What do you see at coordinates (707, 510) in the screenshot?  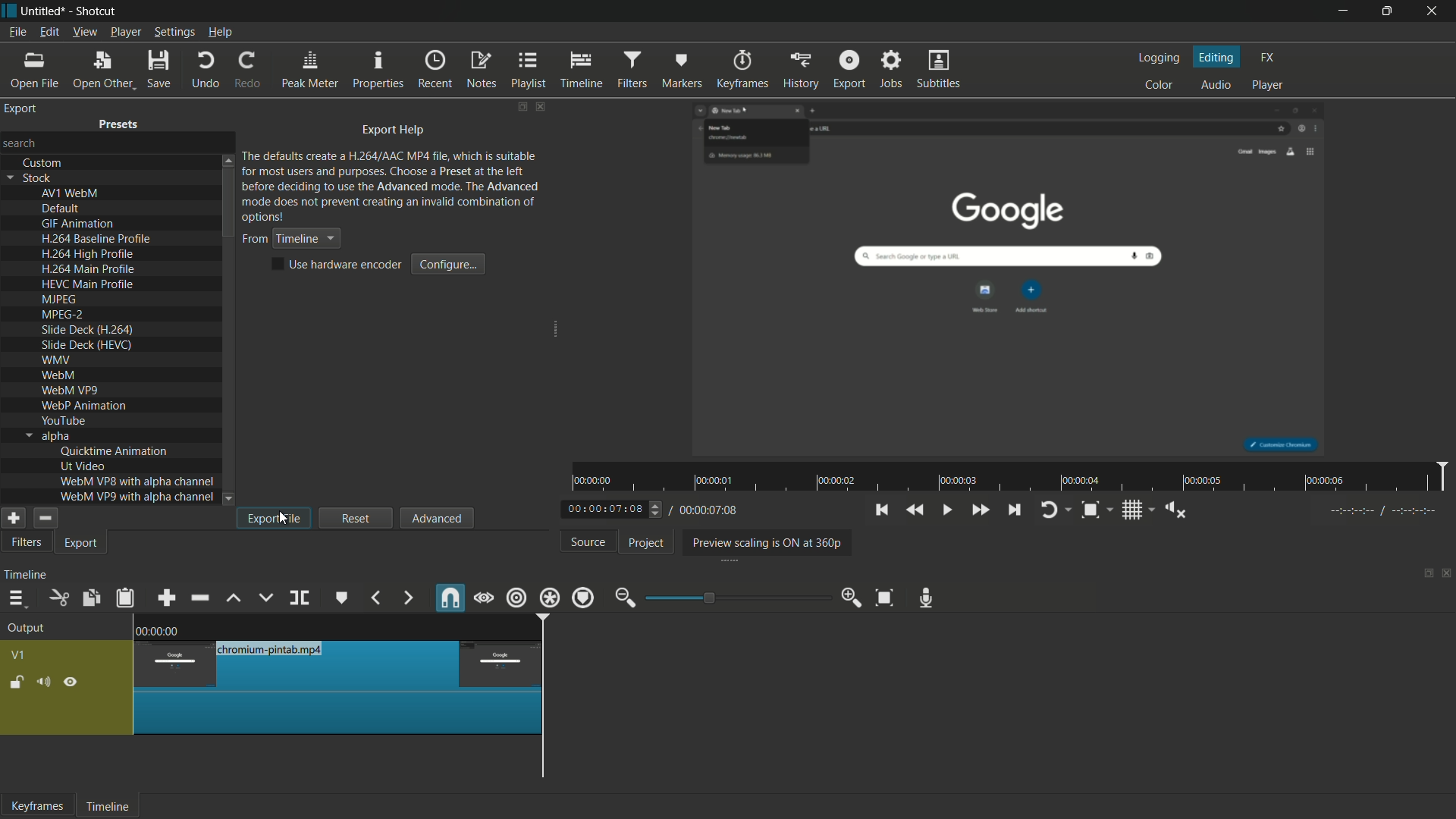 I see `total time` at bounding box center [707, 510].